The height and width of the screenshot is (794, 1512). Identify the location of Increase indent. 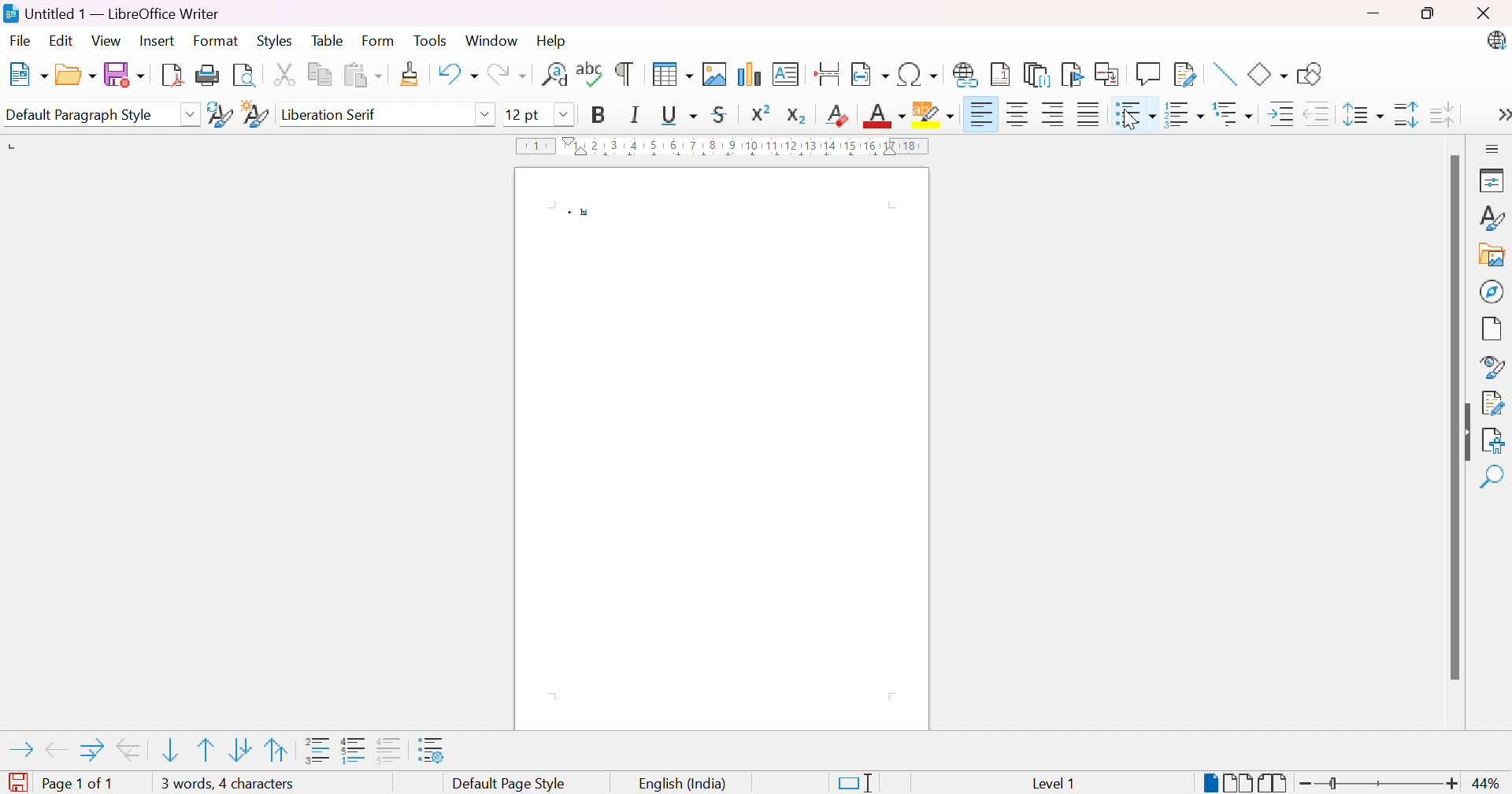
(1284, 113).